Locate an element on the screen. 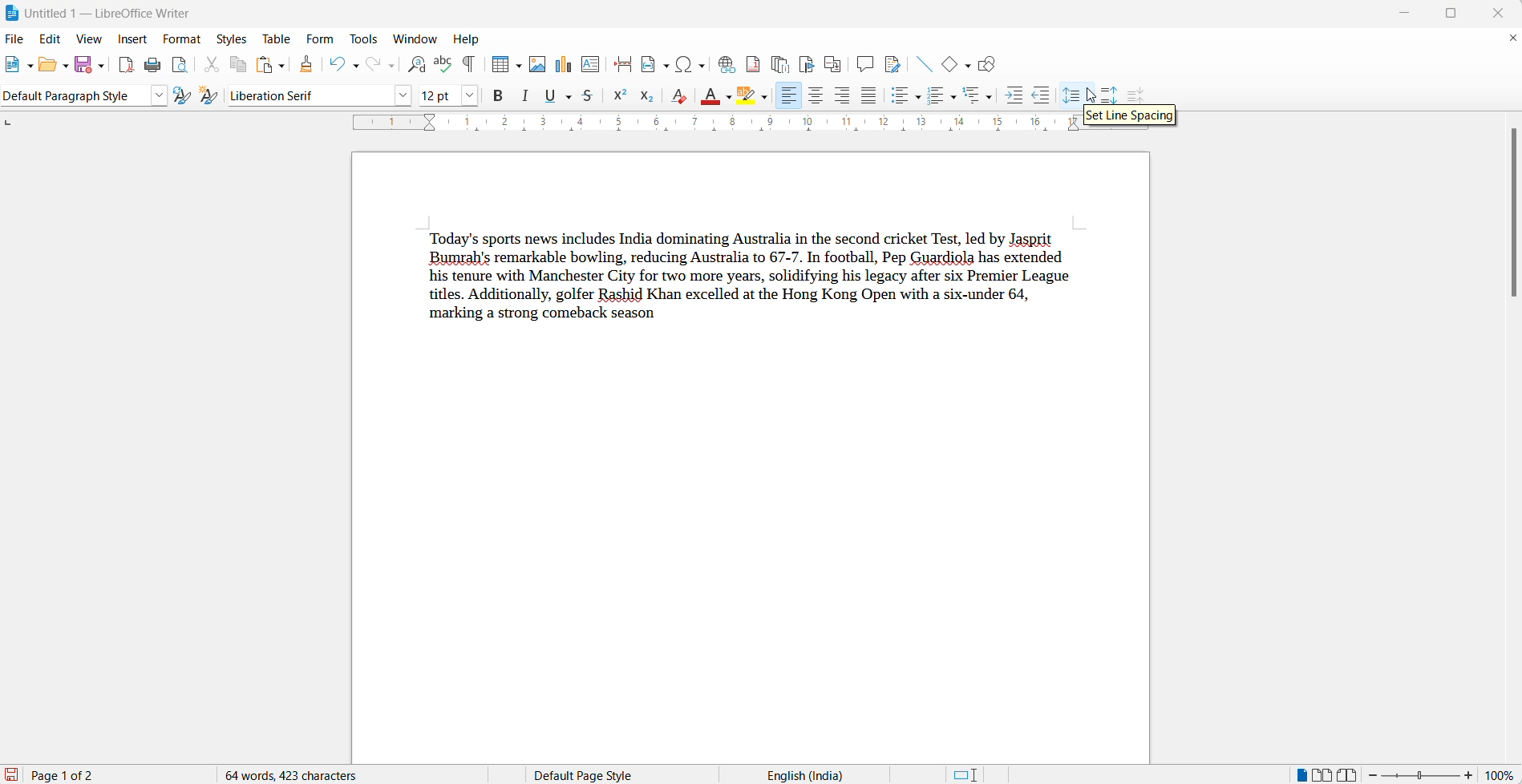  standard selection is located at coordinates (965, 774).